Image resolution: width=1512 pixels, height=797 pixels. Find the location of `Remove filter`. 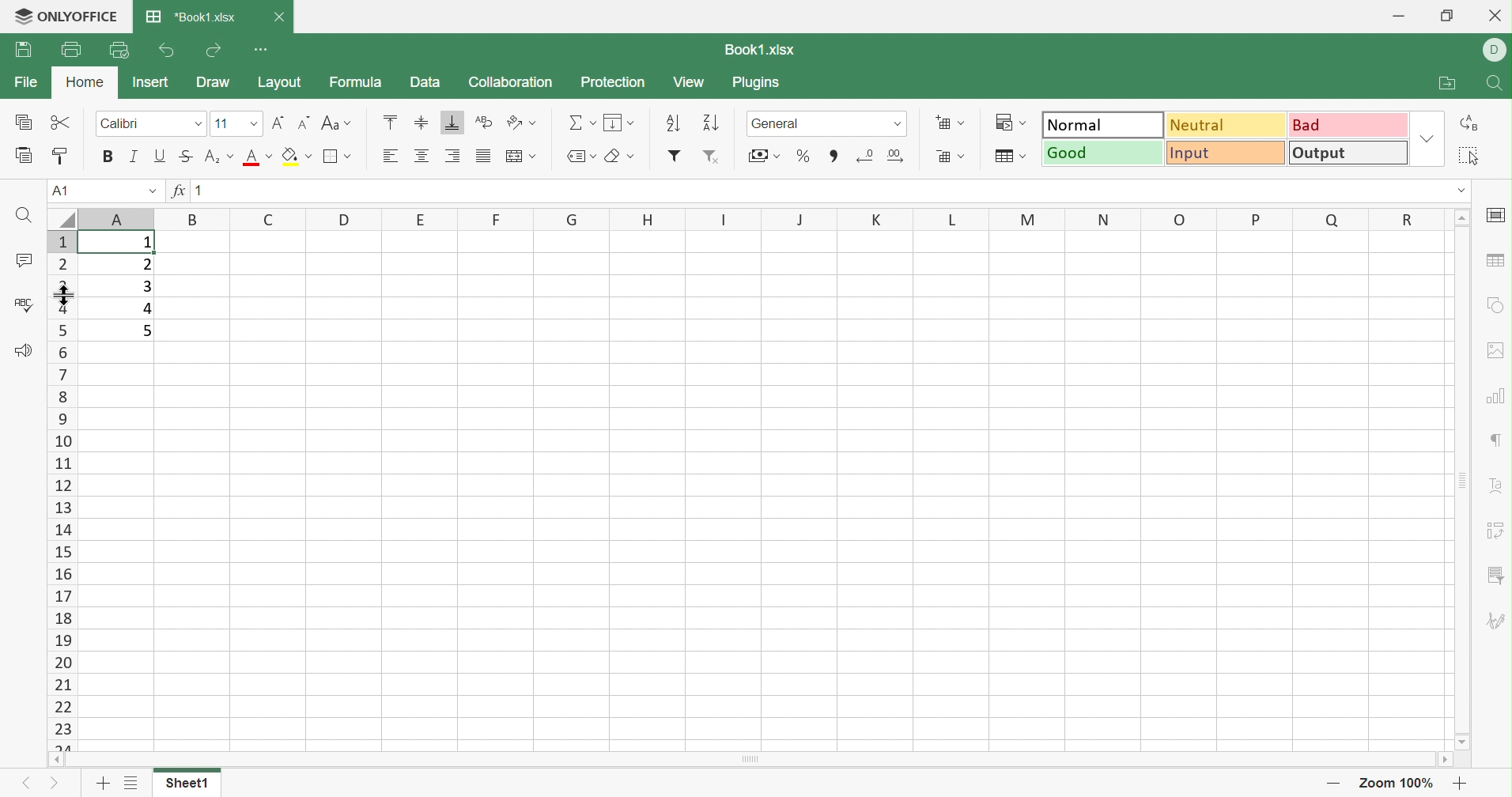

Remove filter is located at coordinates (713, 156).